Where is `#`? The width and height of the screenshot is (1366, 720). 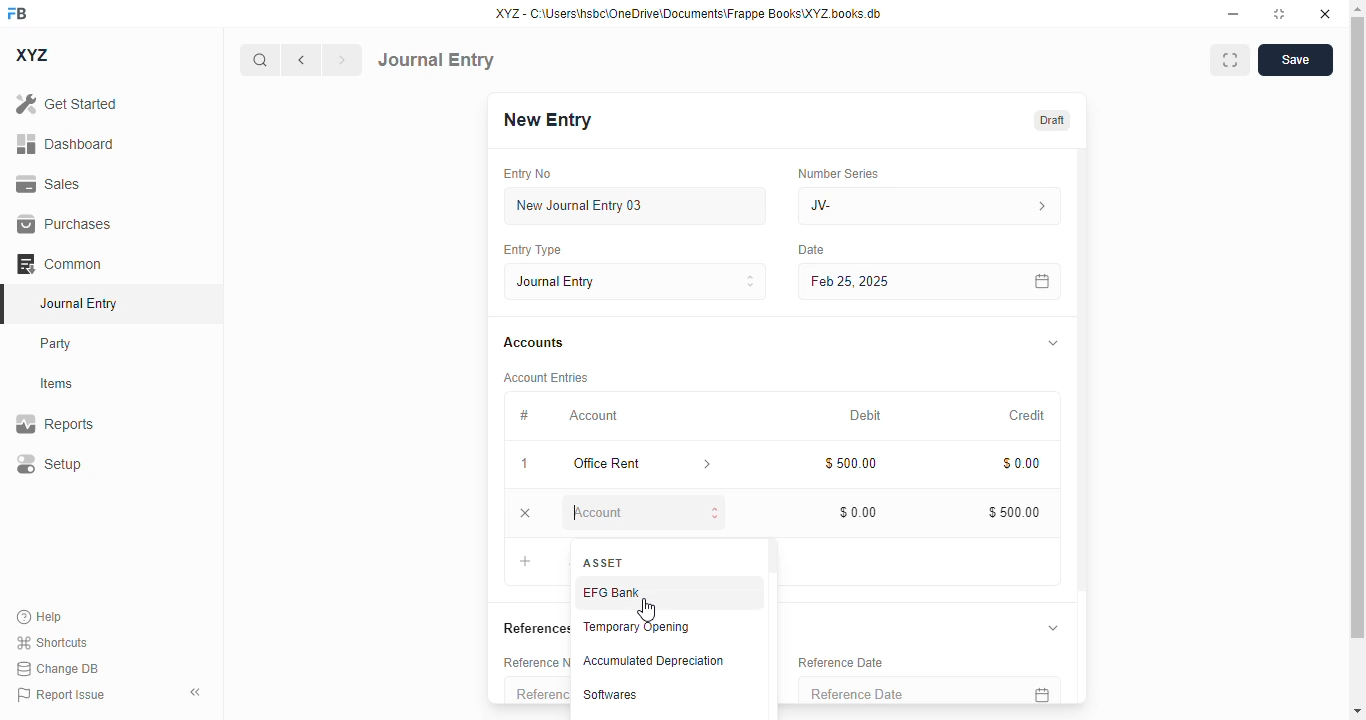
# is located at coordinates (527, 416).